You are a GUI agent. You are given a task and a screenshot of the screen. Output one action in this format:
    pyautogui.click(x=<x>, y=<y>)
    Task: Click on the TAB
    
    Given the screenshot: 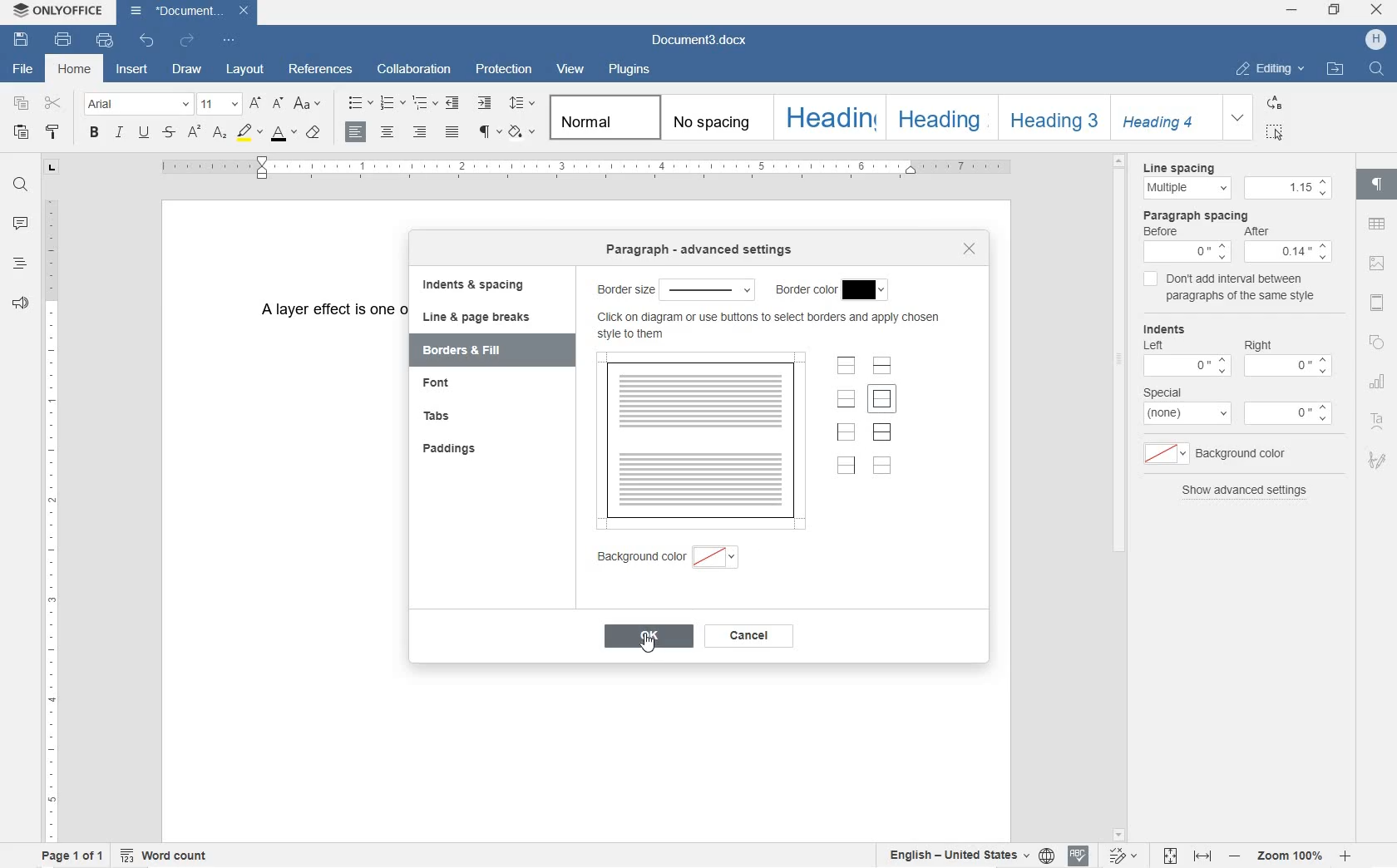 What is the action you would take?
    pyautogui.click(x=52, y=169)
    